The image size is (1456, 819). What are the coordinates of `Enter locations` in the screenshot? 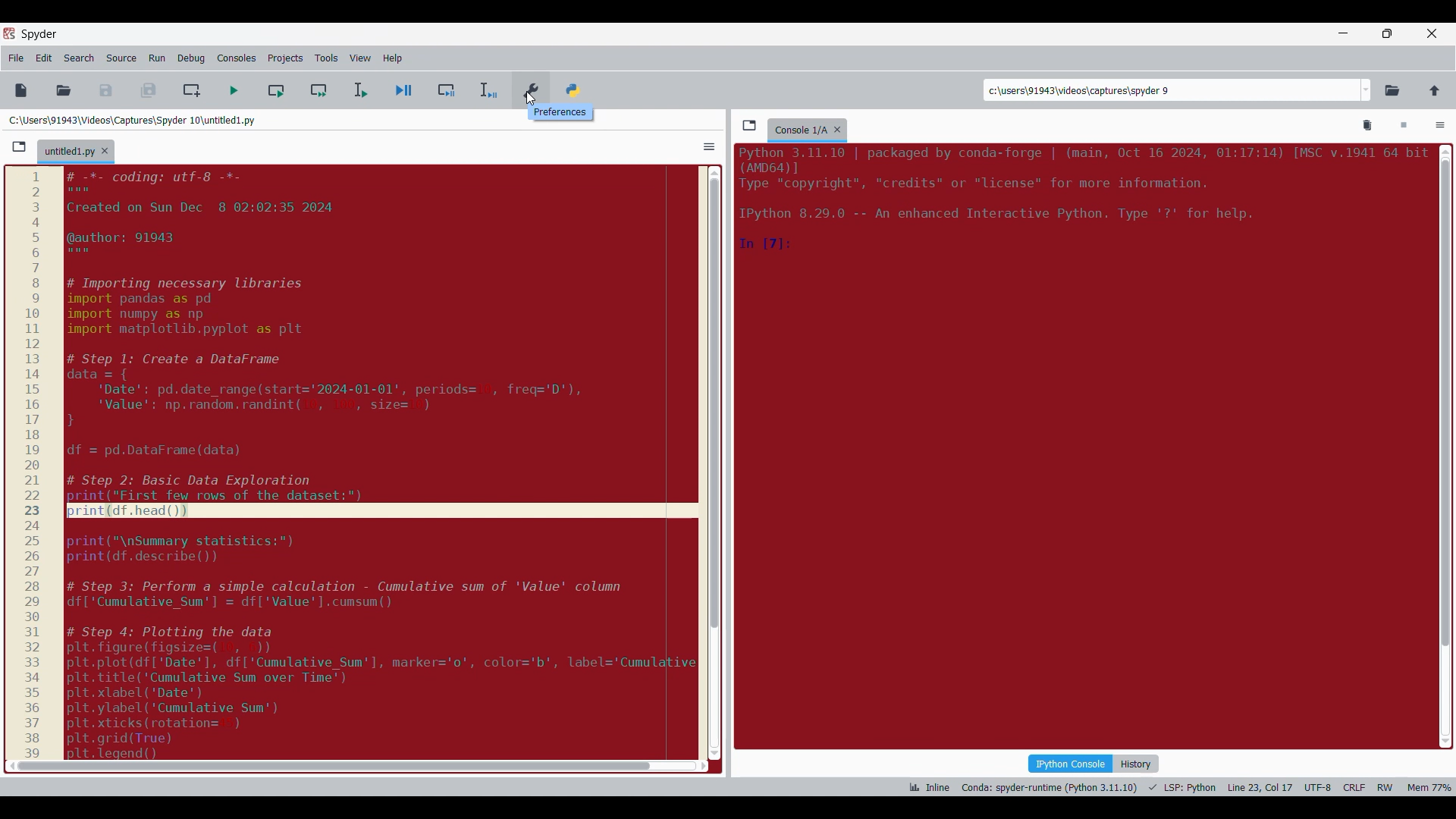 It's located at (1171, 90).